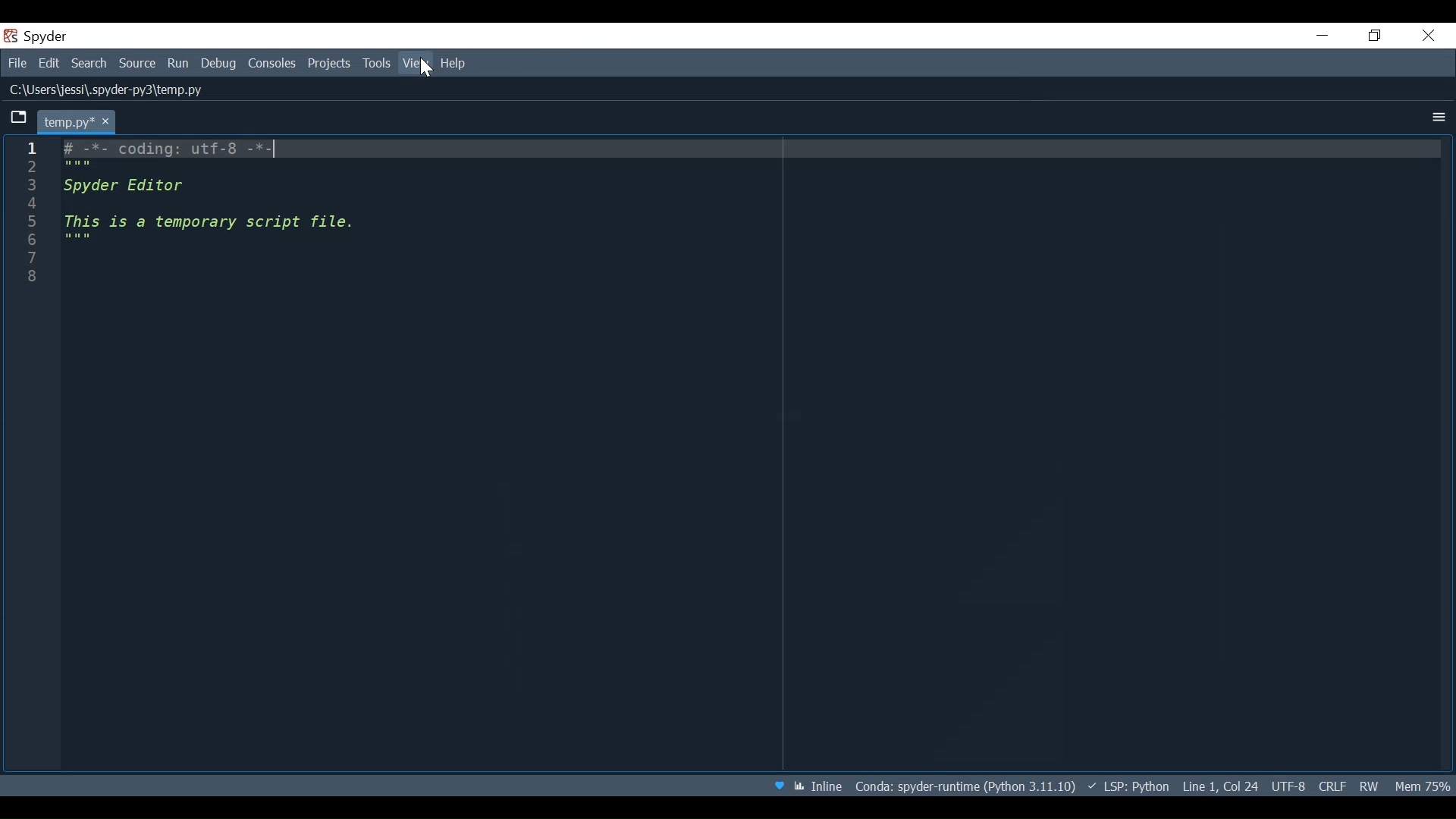 This screenshot has height=819, width=1456. I want to click on File EQL Status, so click(1327, 786).